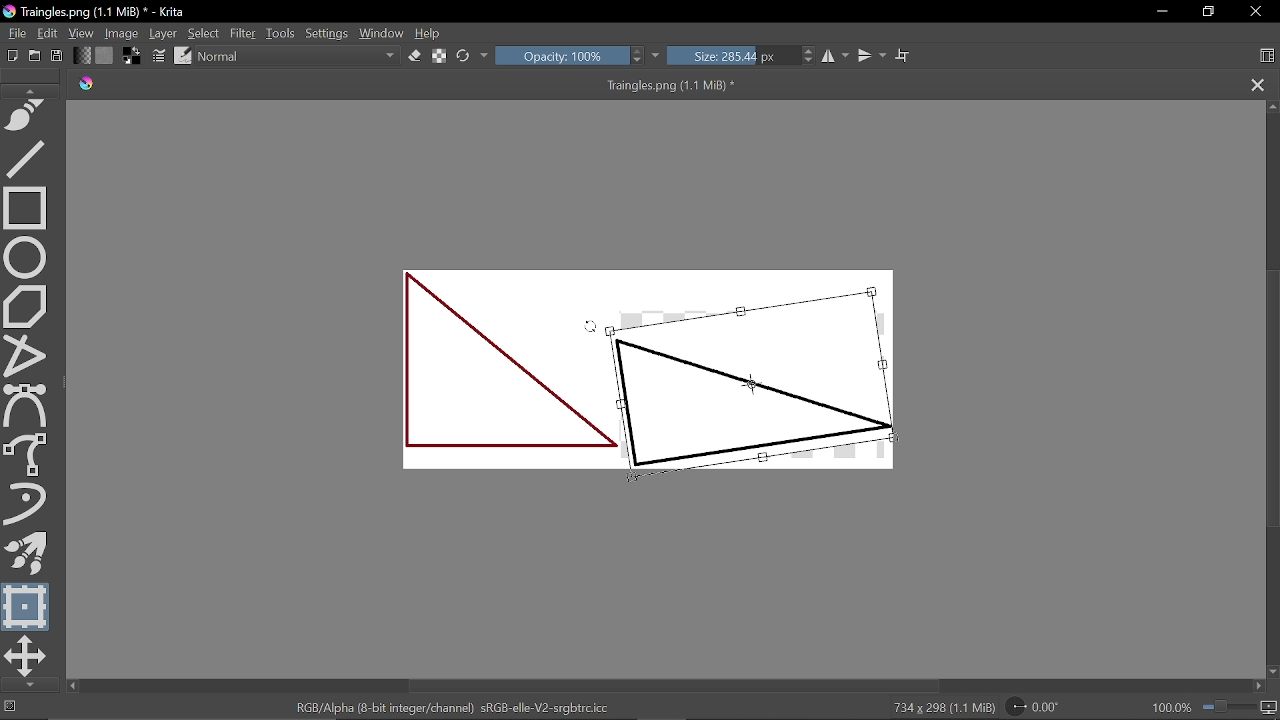 This screenshot has width=1280, height=720. I want to click on Eraser, so click(416, 56).